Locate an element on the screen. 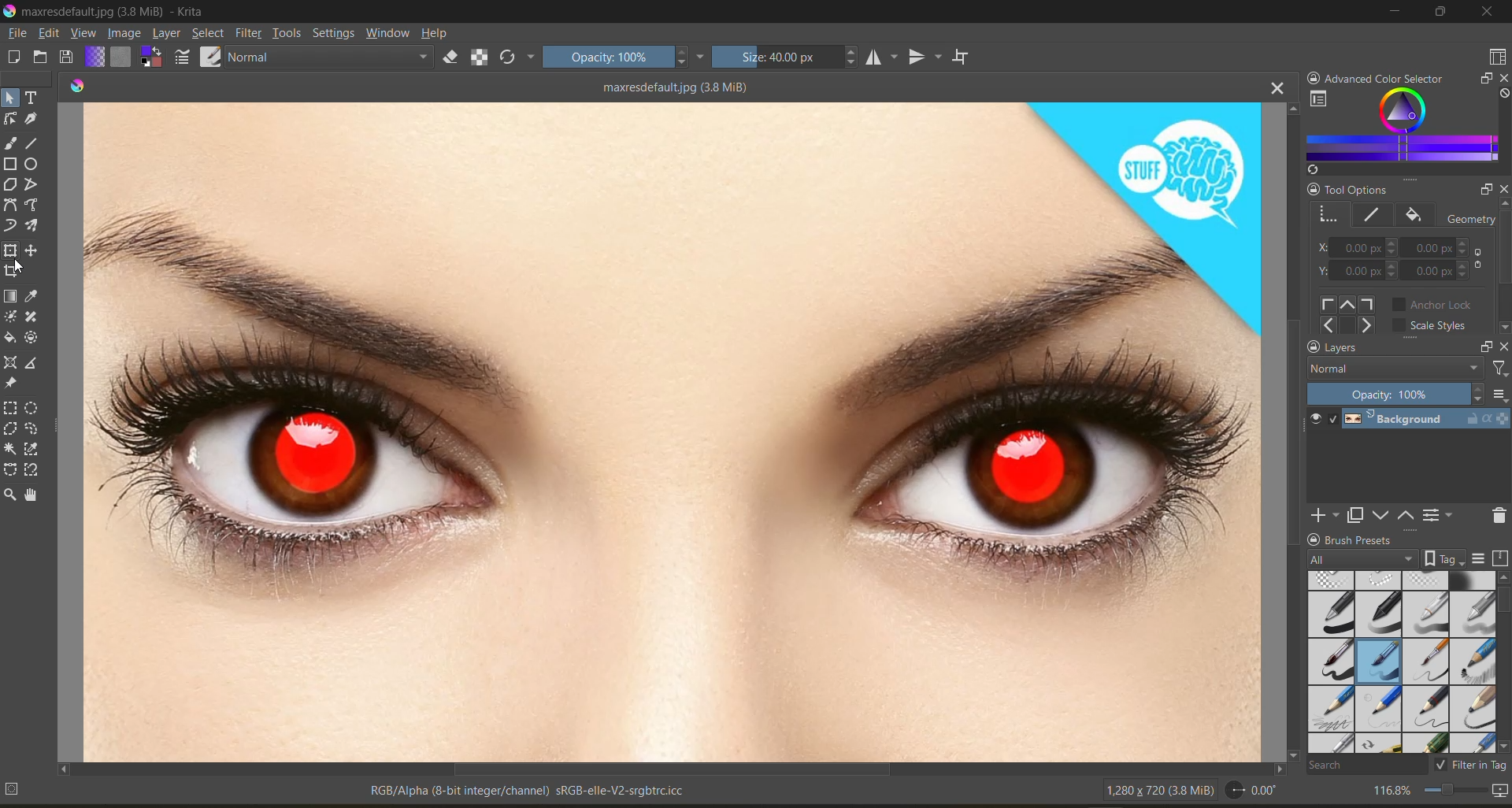  create is located at coordinates (13, 59).